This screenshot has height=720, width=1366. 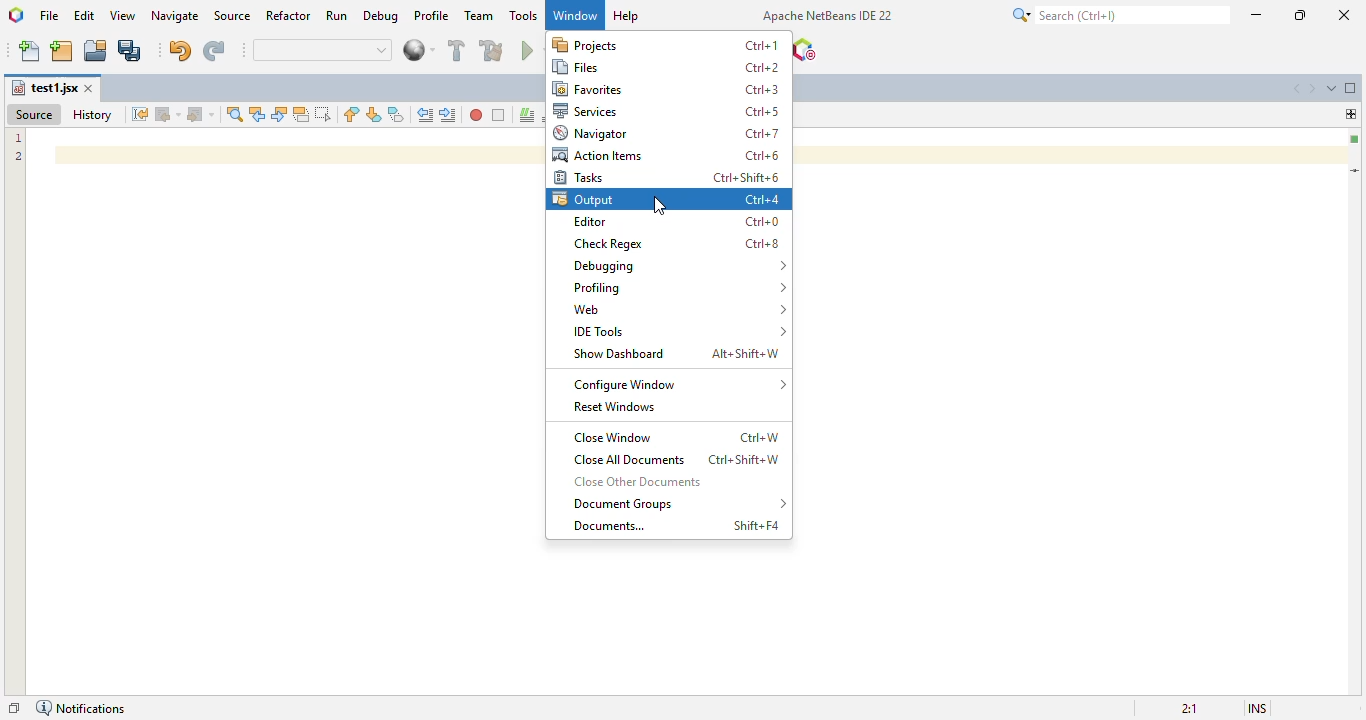 What do you see at coordinates (19, 148) in the screenshot?
I see `line numbers` at bounding box center [19, 148].